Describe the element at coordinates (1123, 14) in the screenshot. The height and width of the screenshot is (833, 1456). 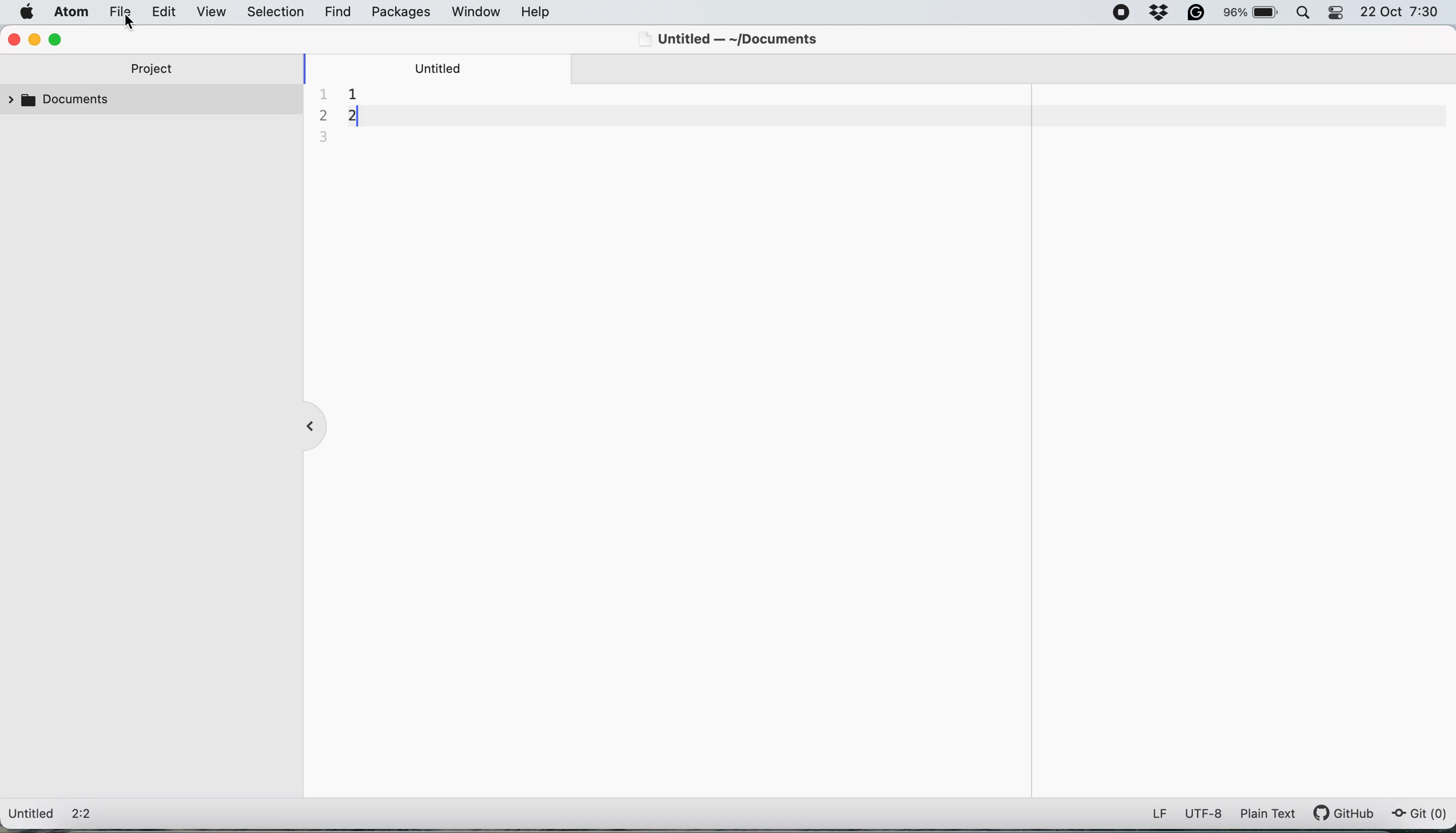
I see `screen recorder` at that location.